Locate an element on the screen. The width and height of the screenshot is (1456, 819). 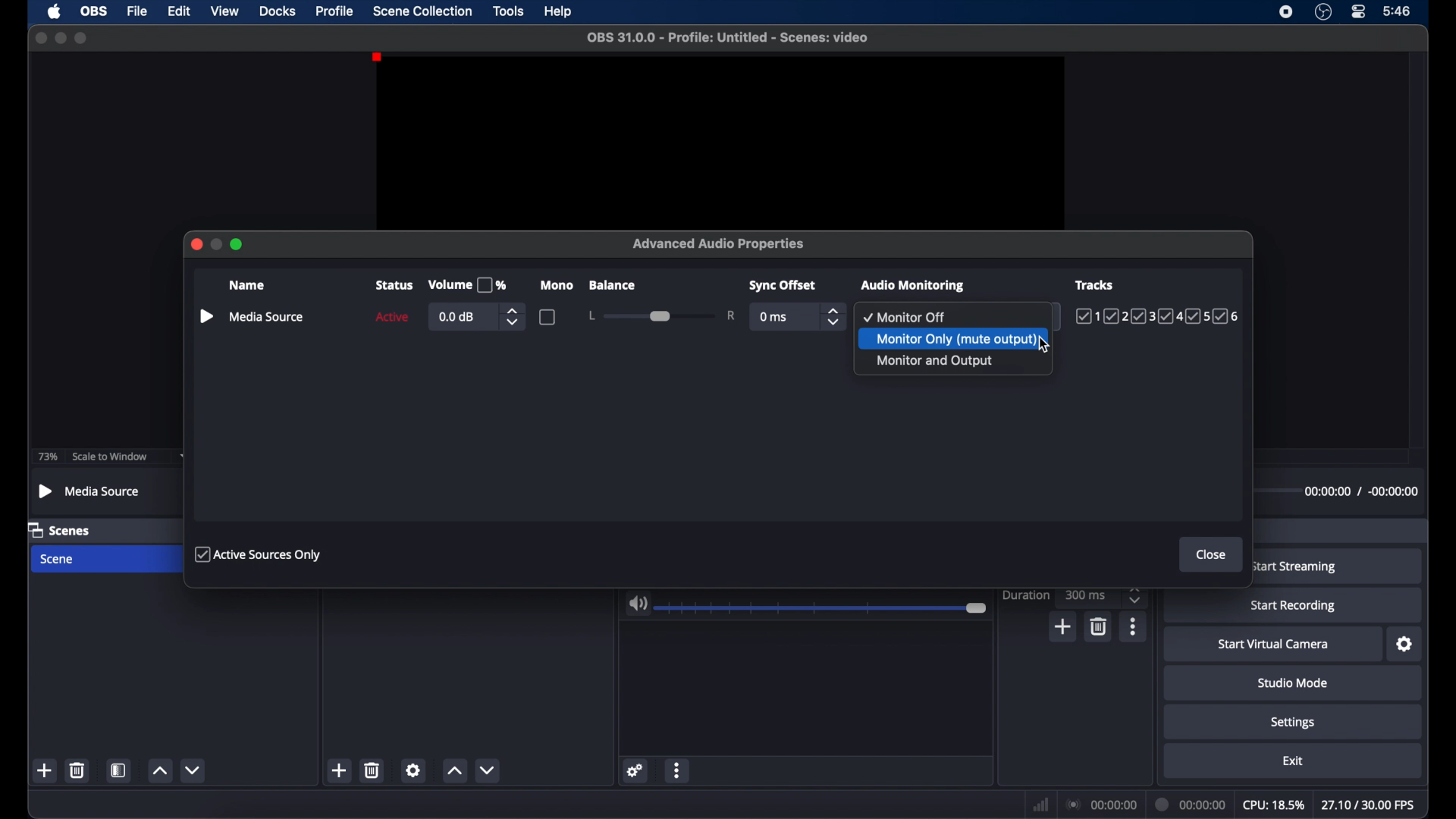
scenes is located at coordinates (62, 531).